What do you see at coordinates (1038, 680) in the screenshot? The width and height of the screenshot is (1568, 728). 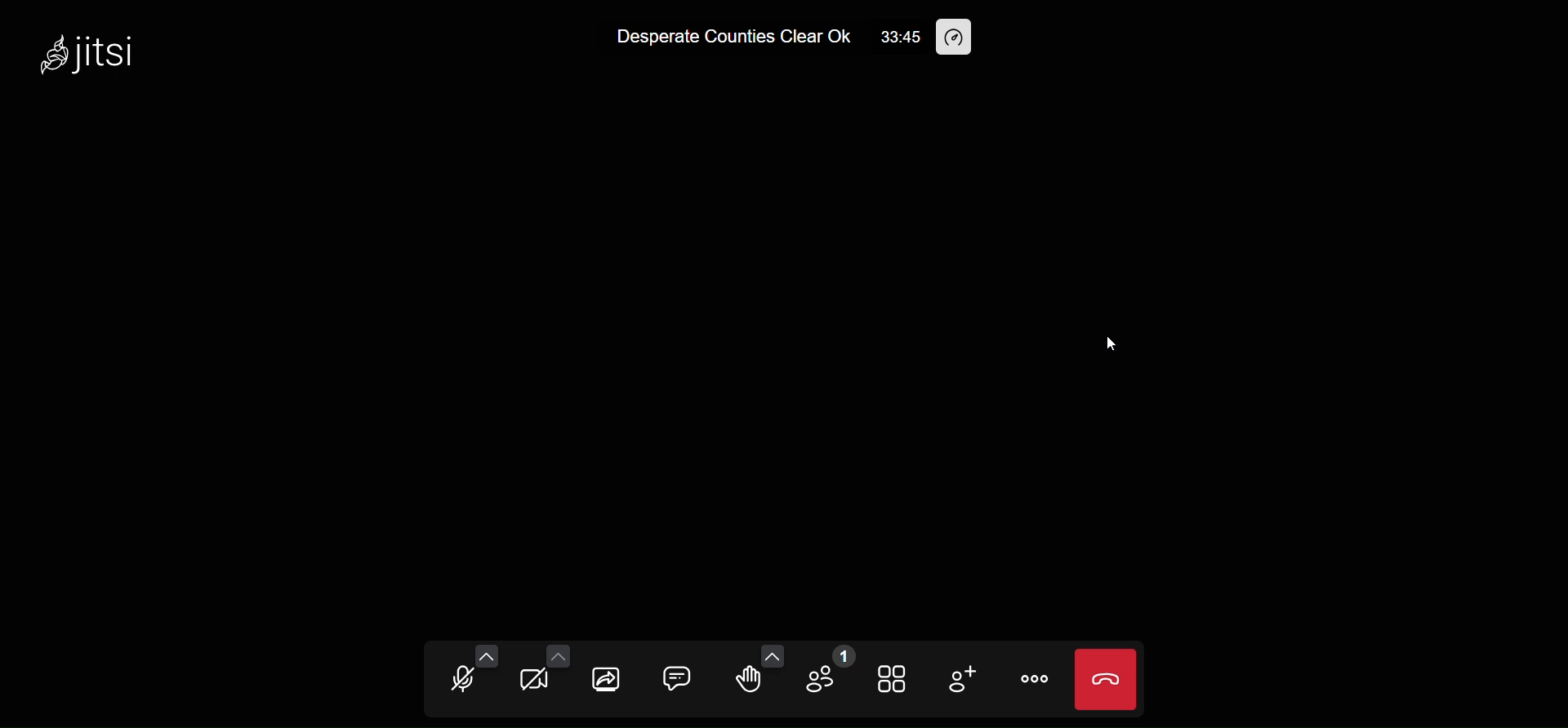 I see `more` at bounding box center [1038, 680].